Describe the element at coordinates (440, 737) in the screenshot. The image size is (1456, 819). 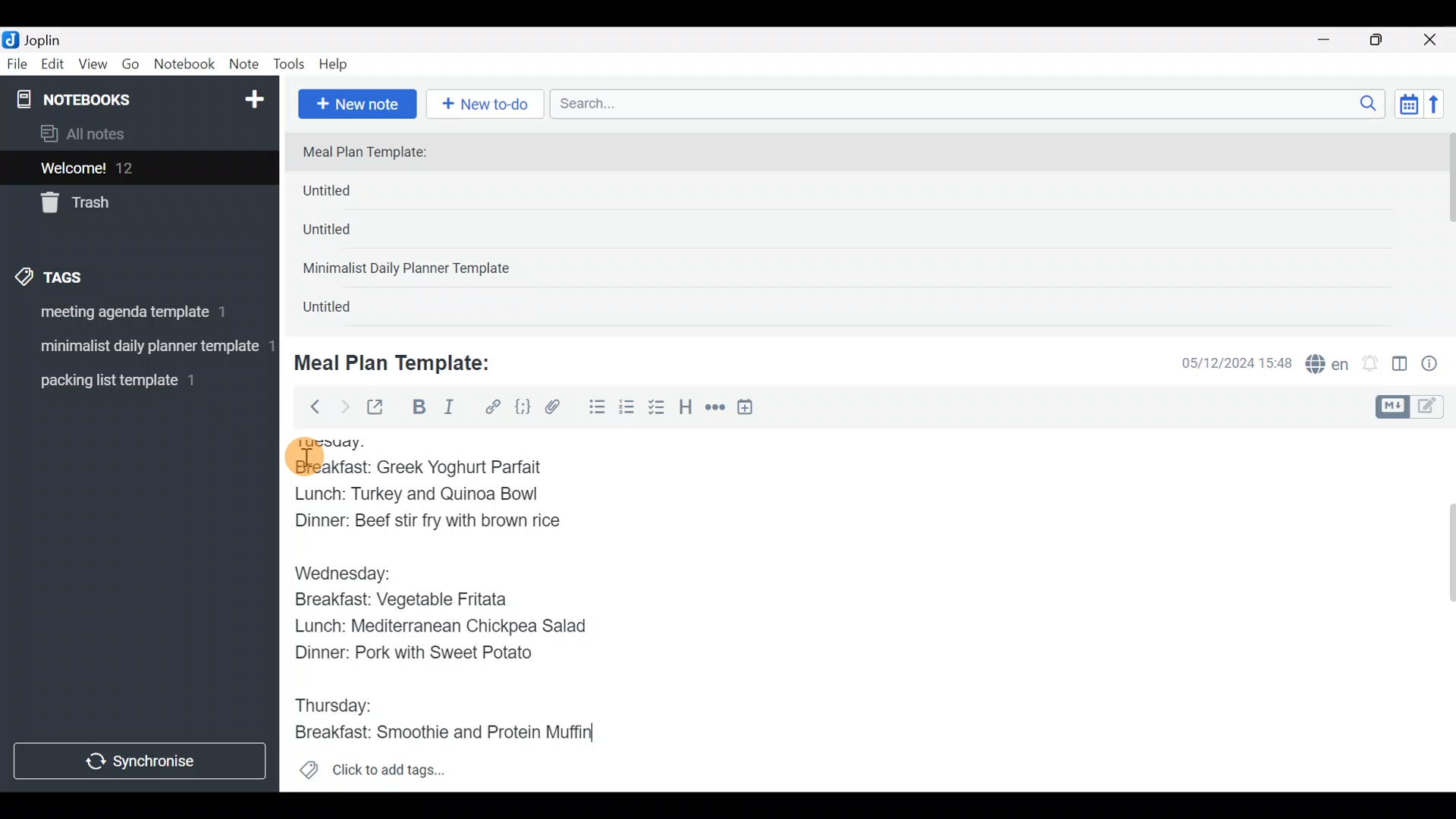
I see `Breakfast: Smoothie and Protein Muffin` at that location.